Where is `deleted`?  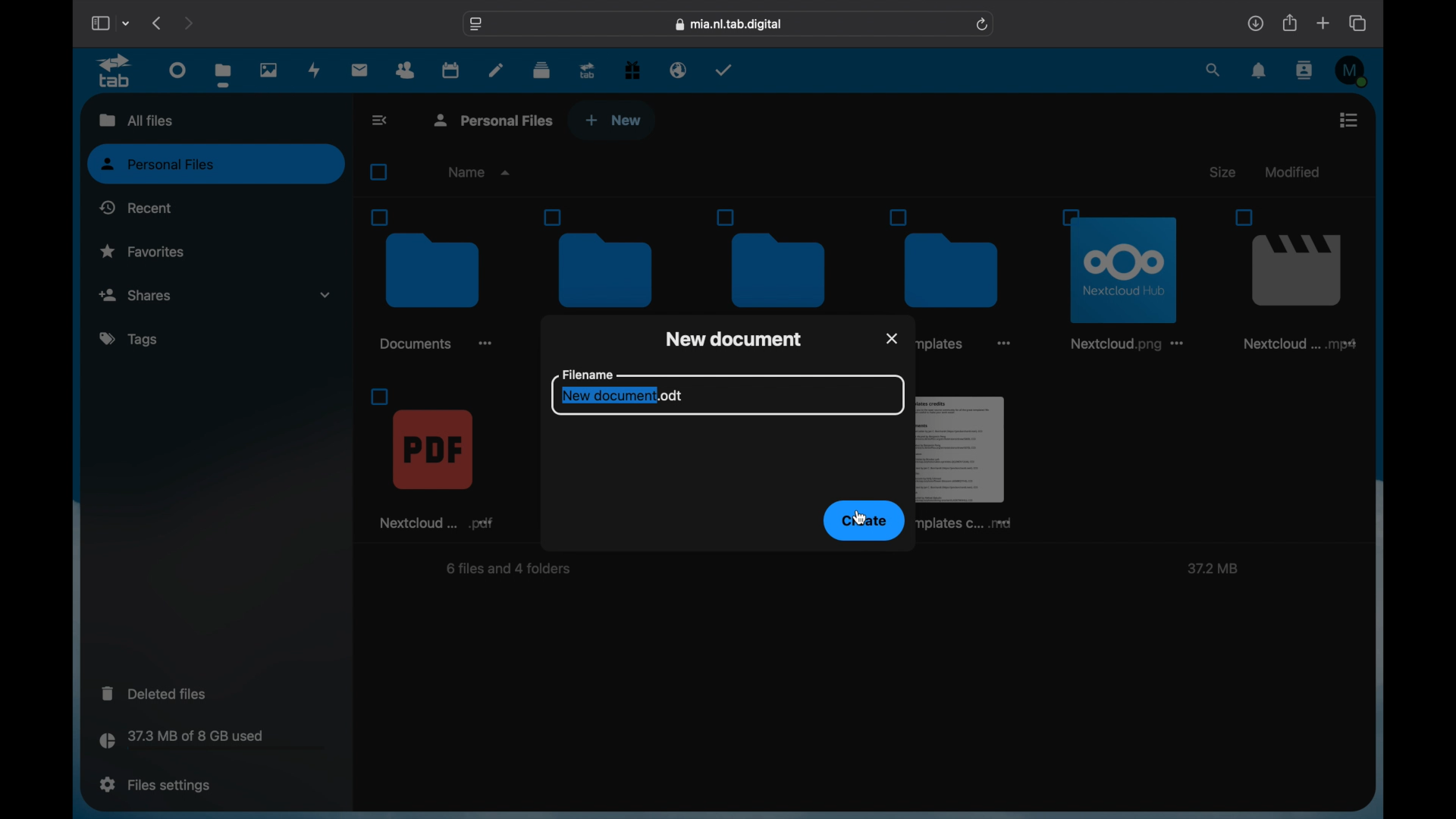
deleted is located at coordinates (156, 693).